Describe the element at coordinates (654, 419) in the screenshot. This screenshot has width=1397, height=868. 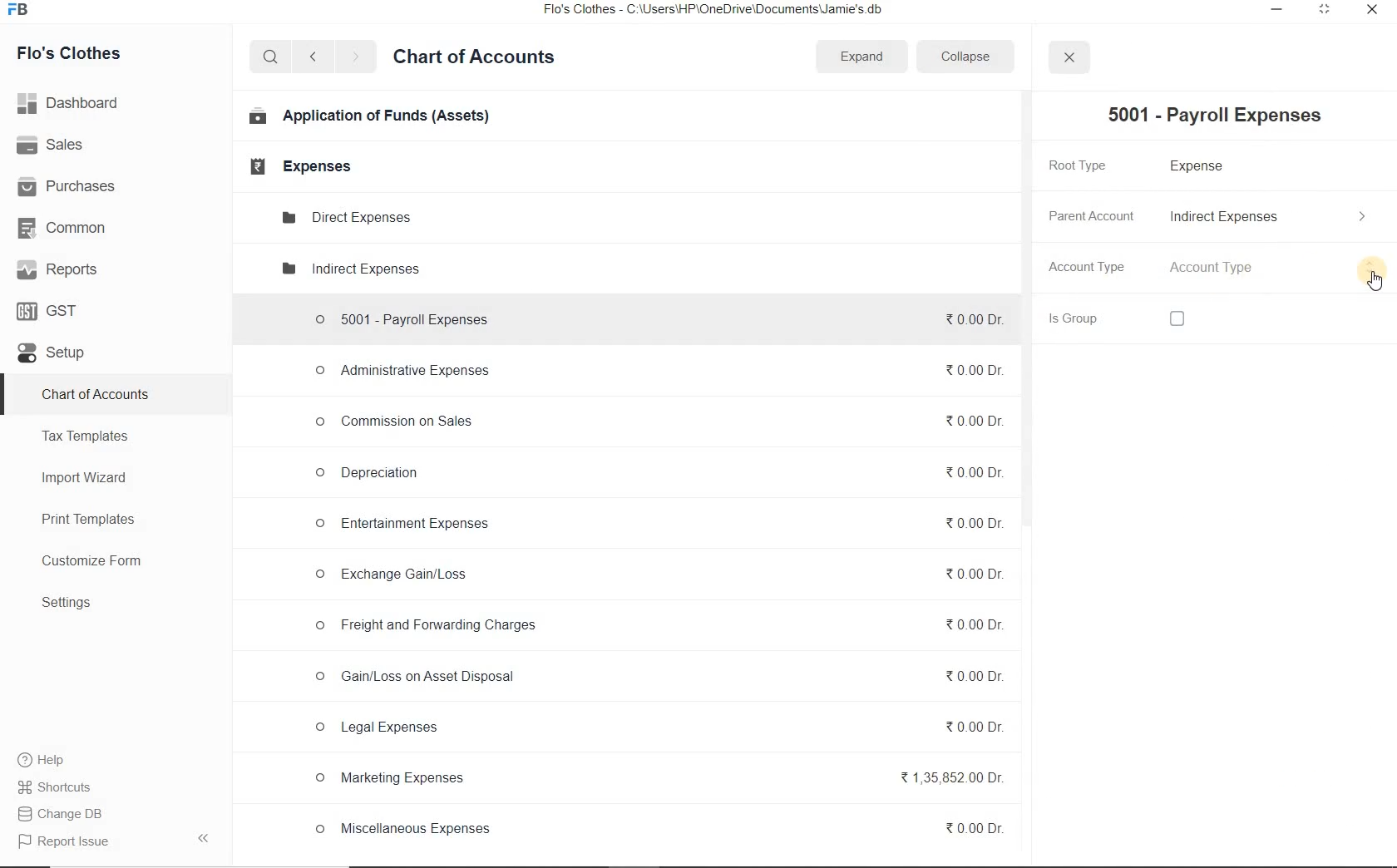
I see `oO Commission on Sales % 0.00 Dr.` at that location.